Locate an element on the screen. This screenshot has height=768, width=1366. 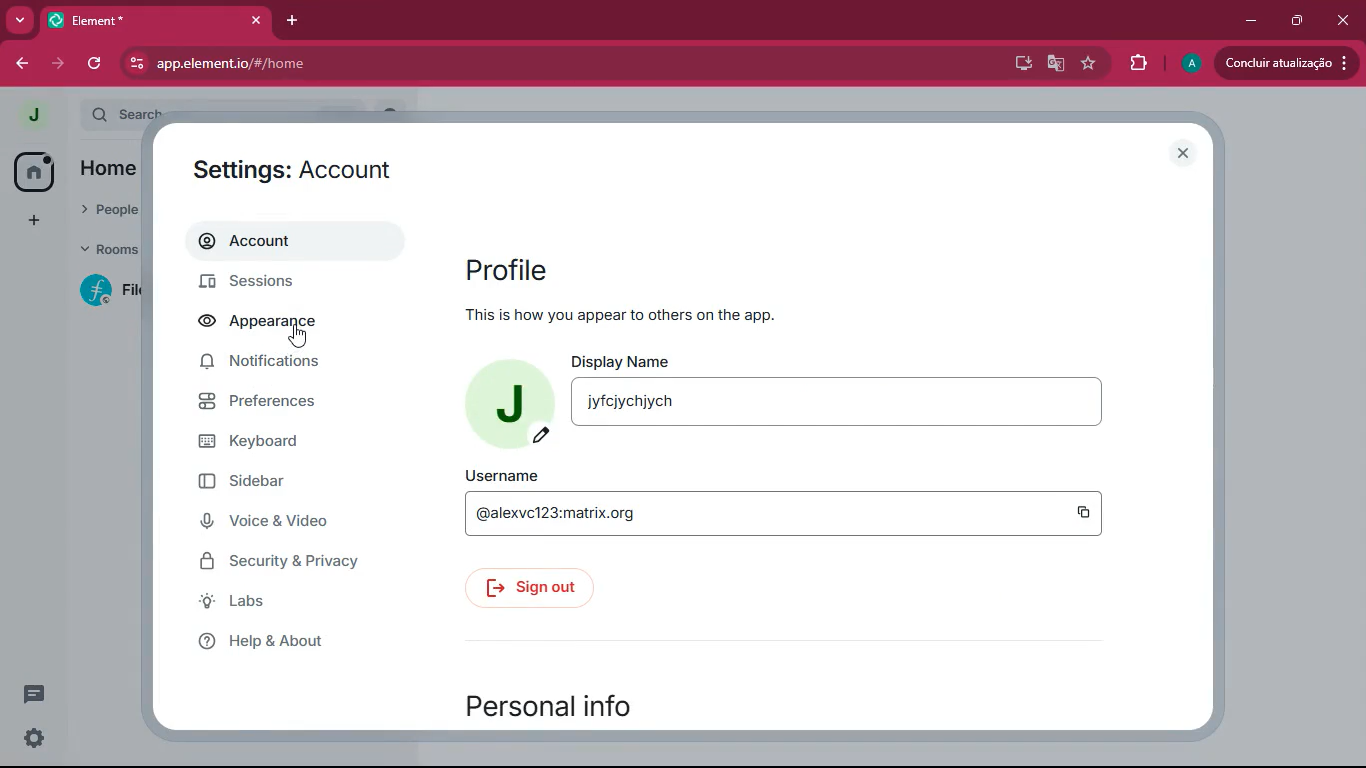
update is located at coordinates (1285, 62).